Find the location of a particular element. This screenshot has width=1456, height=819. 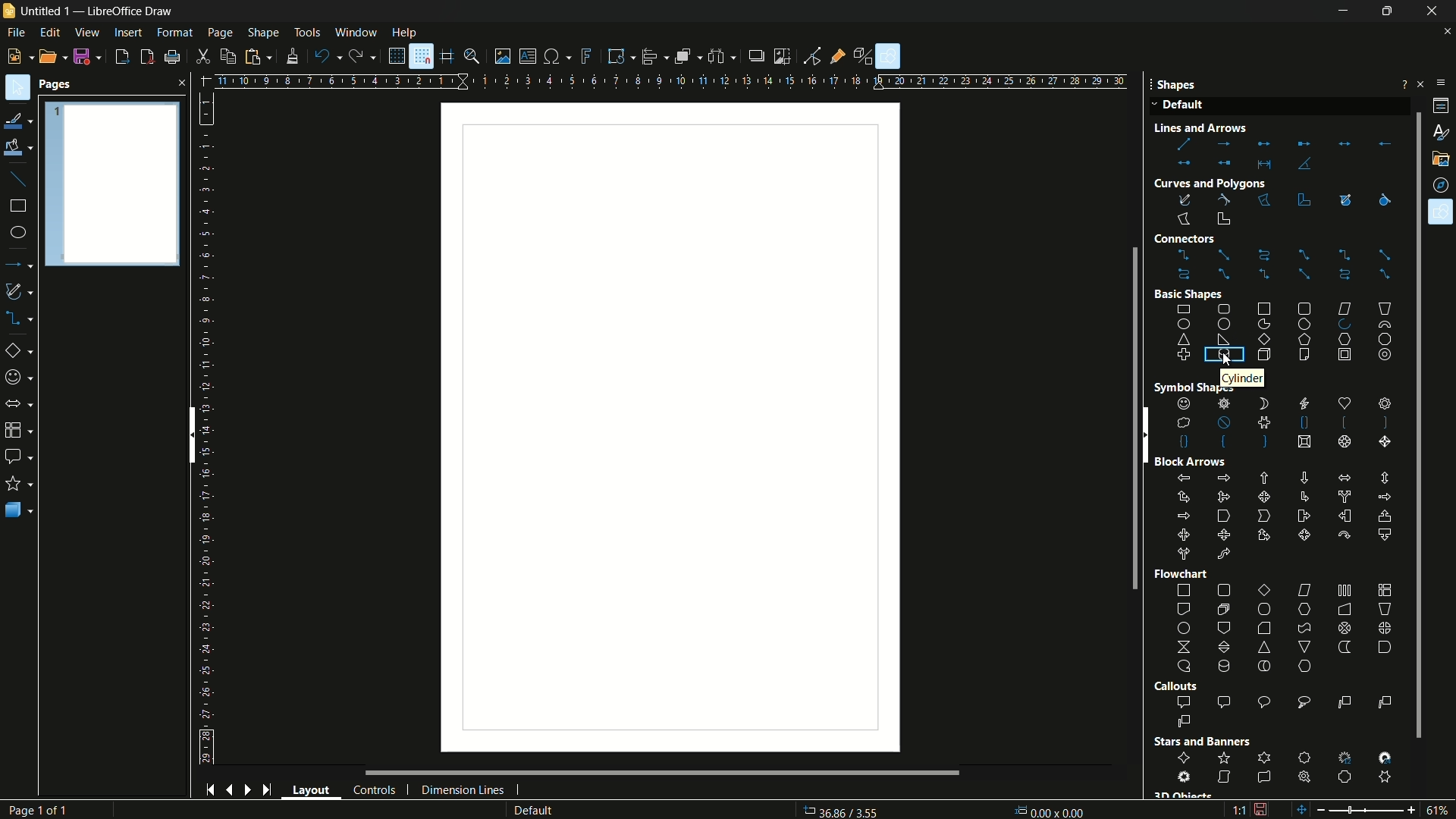

end page is located at coordinates (266, 791).